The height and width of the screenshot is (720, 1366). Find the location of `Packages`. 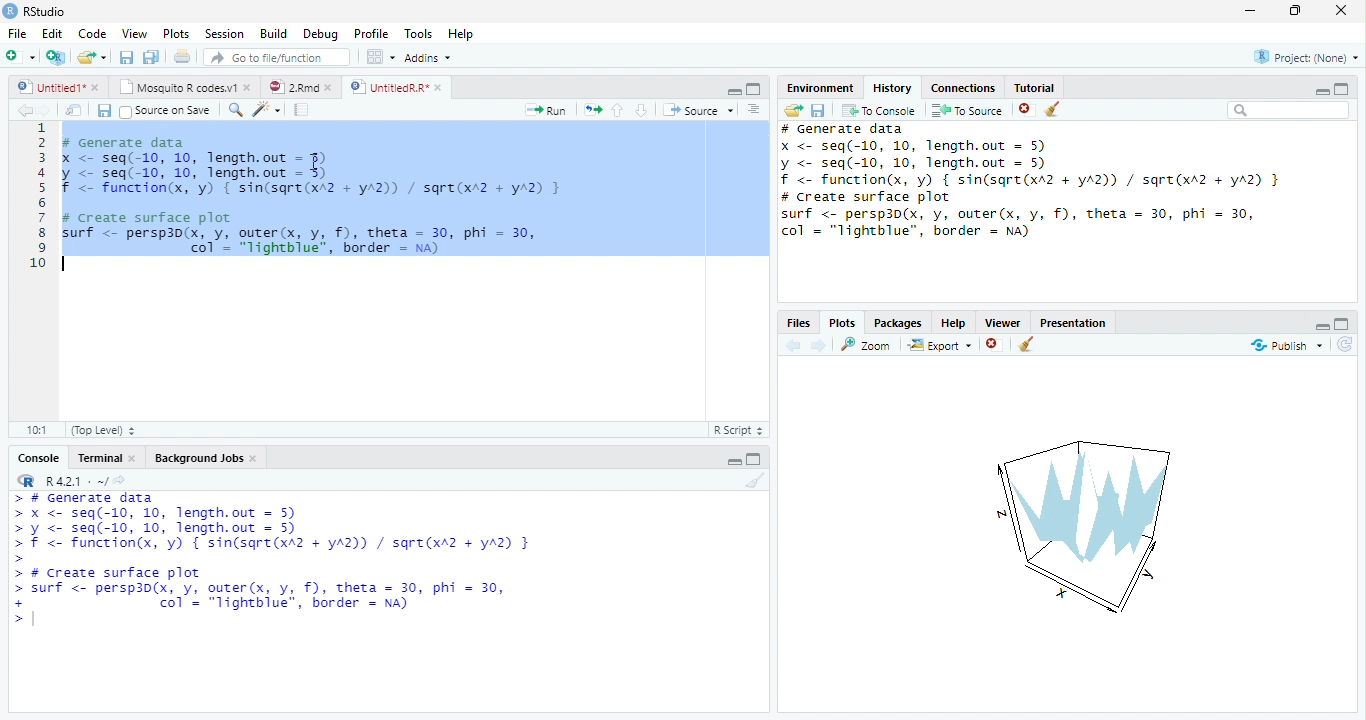

Packages is located at coordinates (898, 322).